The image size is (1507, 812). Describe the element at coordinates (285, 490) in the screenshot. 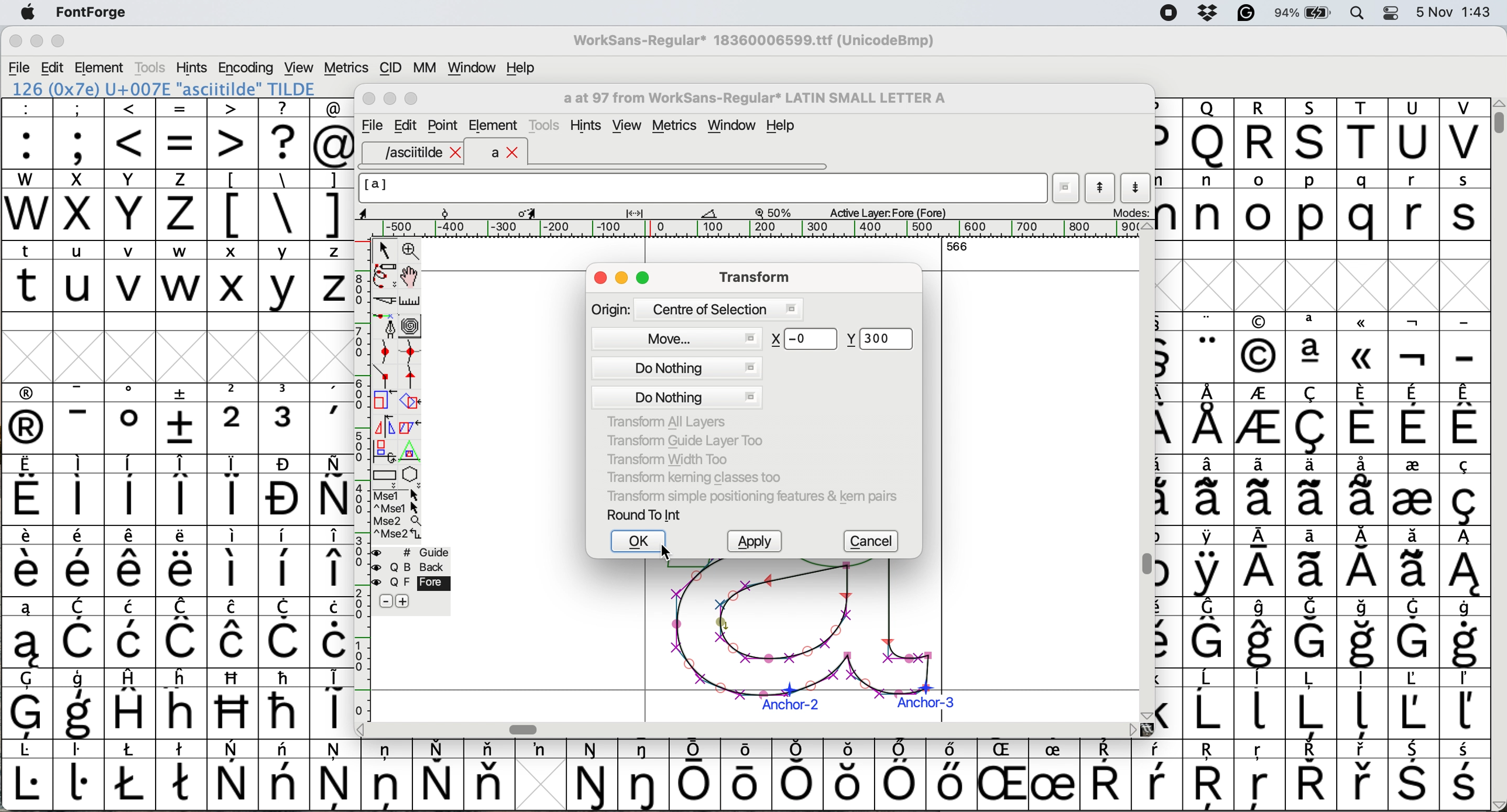

I see `symbol` at that location.